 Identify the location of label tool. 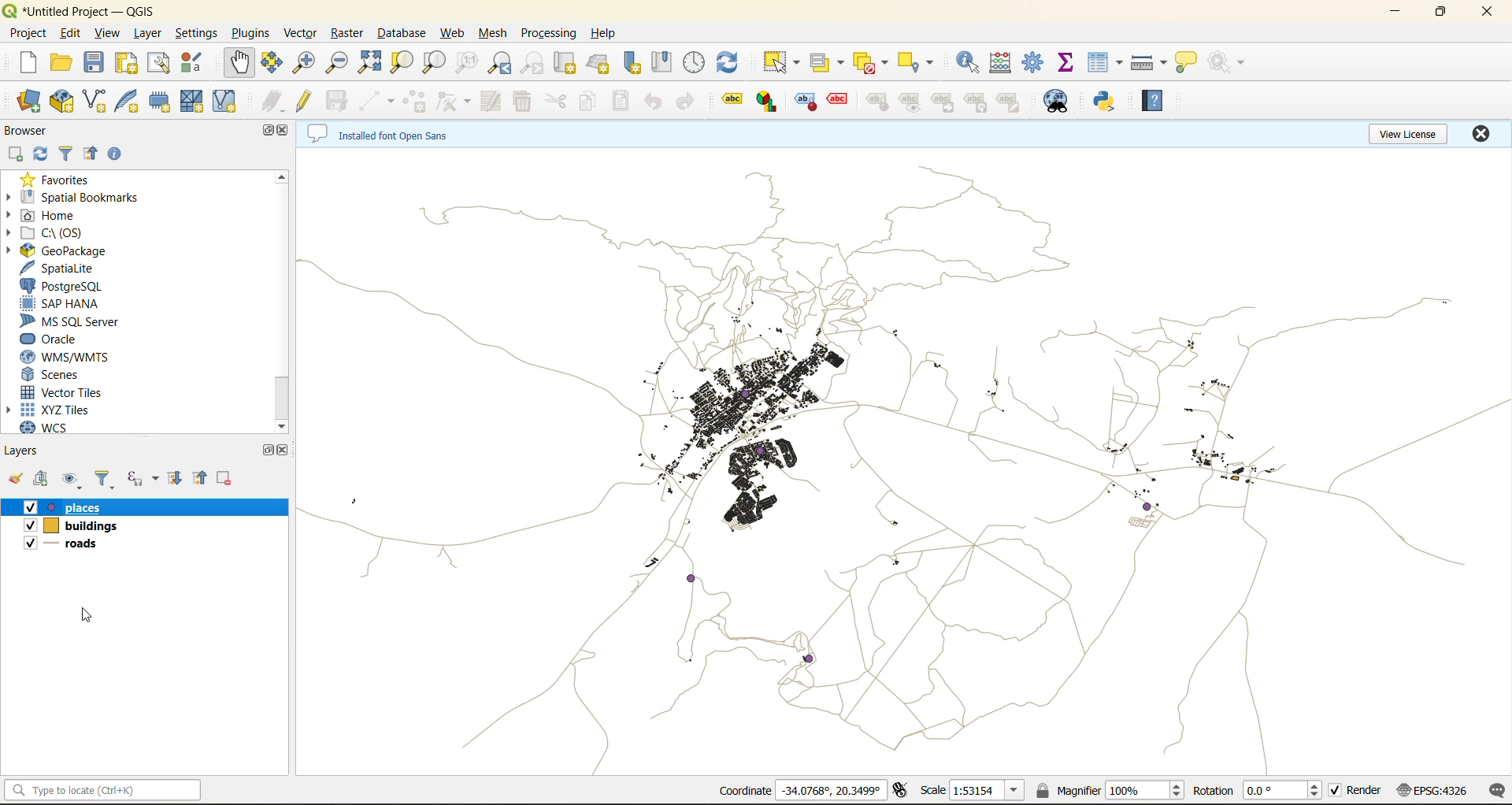
(878, 103).